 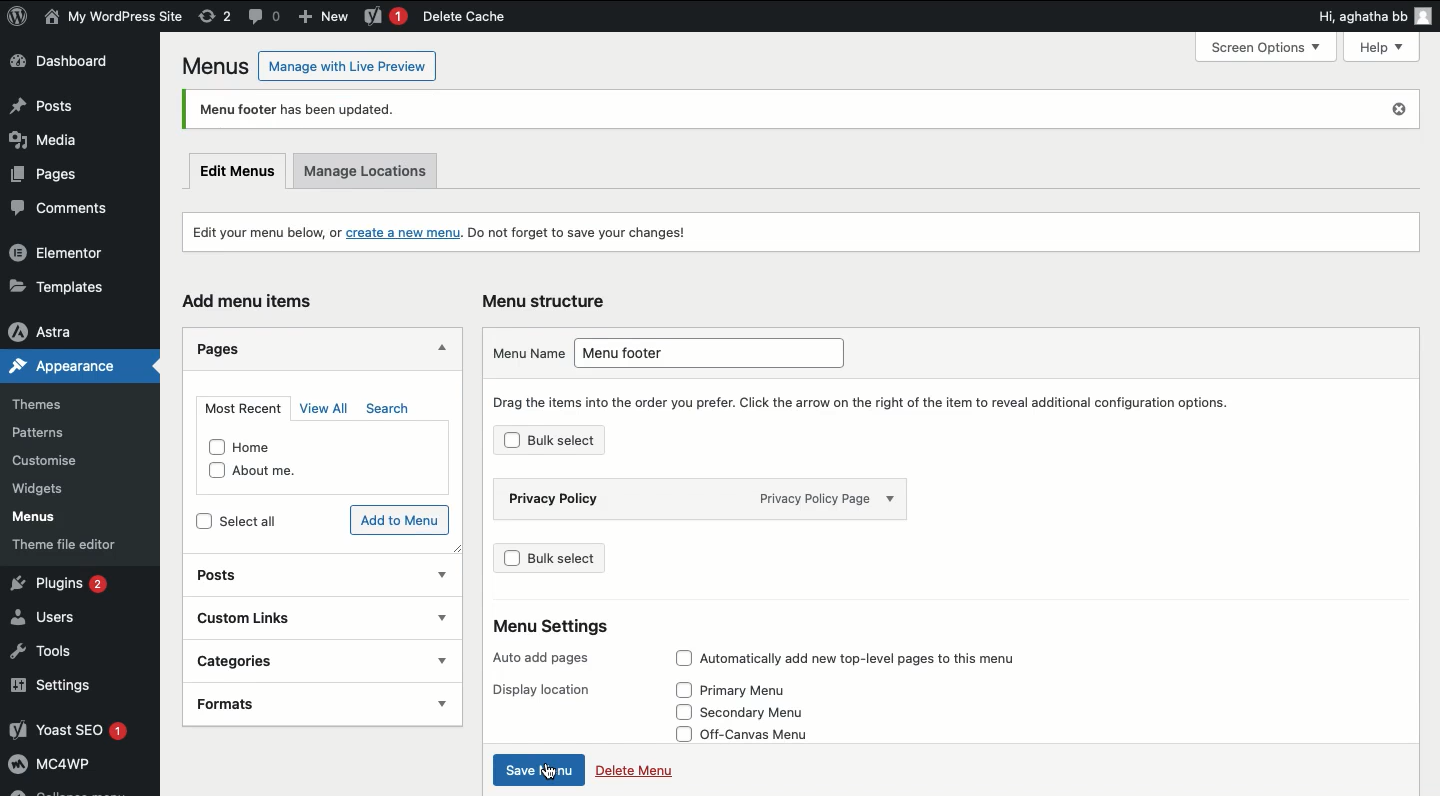 I want to click on Tools, so click(x=50, y=652).